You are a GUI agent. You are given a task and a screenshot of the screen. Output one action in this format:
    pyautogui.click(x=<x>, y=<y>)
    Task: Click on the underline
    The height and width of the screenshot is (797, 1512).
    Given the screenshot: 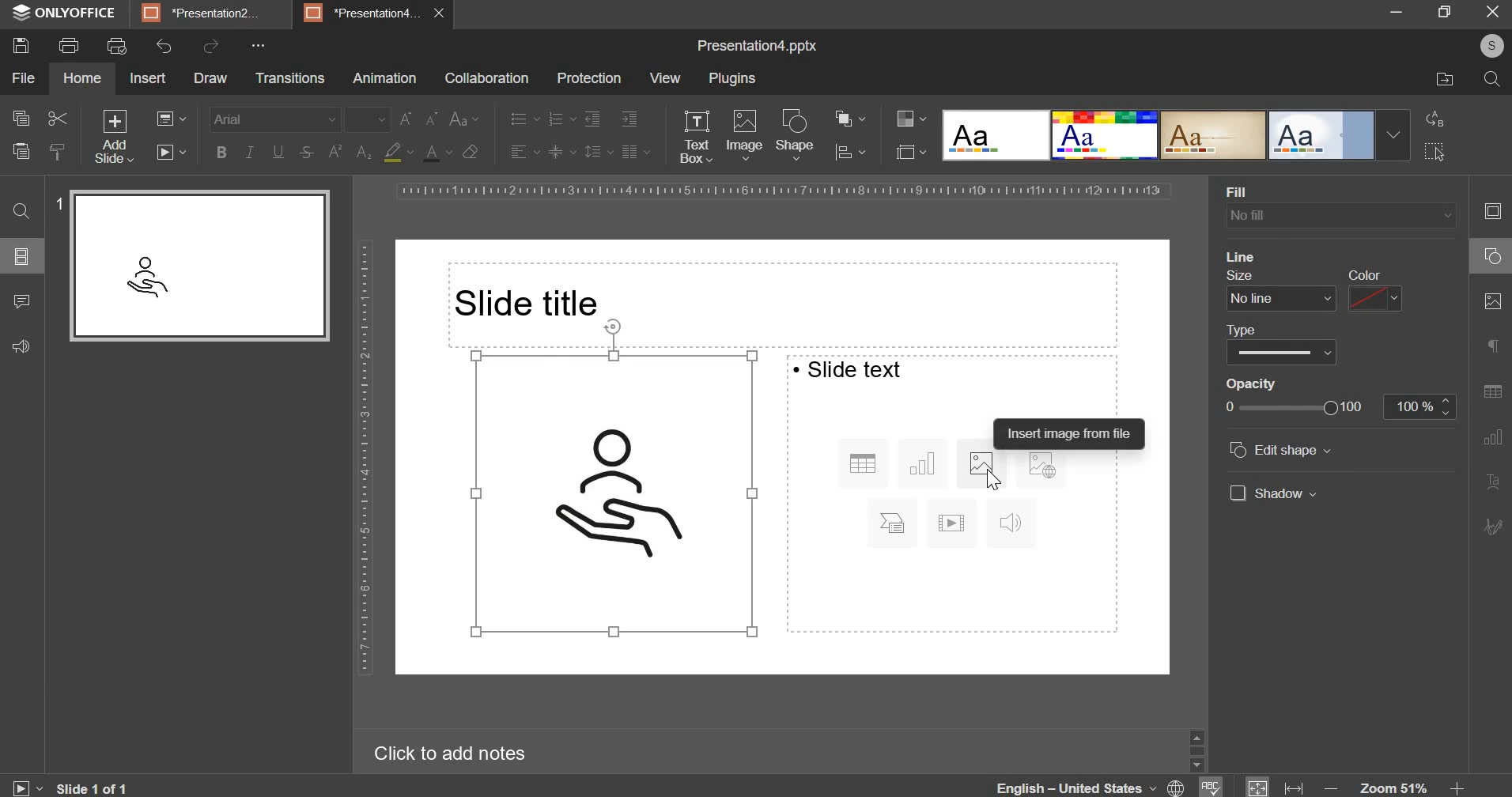 What is the action you would take?
    pyautogui.click(x=278, y=151)
    